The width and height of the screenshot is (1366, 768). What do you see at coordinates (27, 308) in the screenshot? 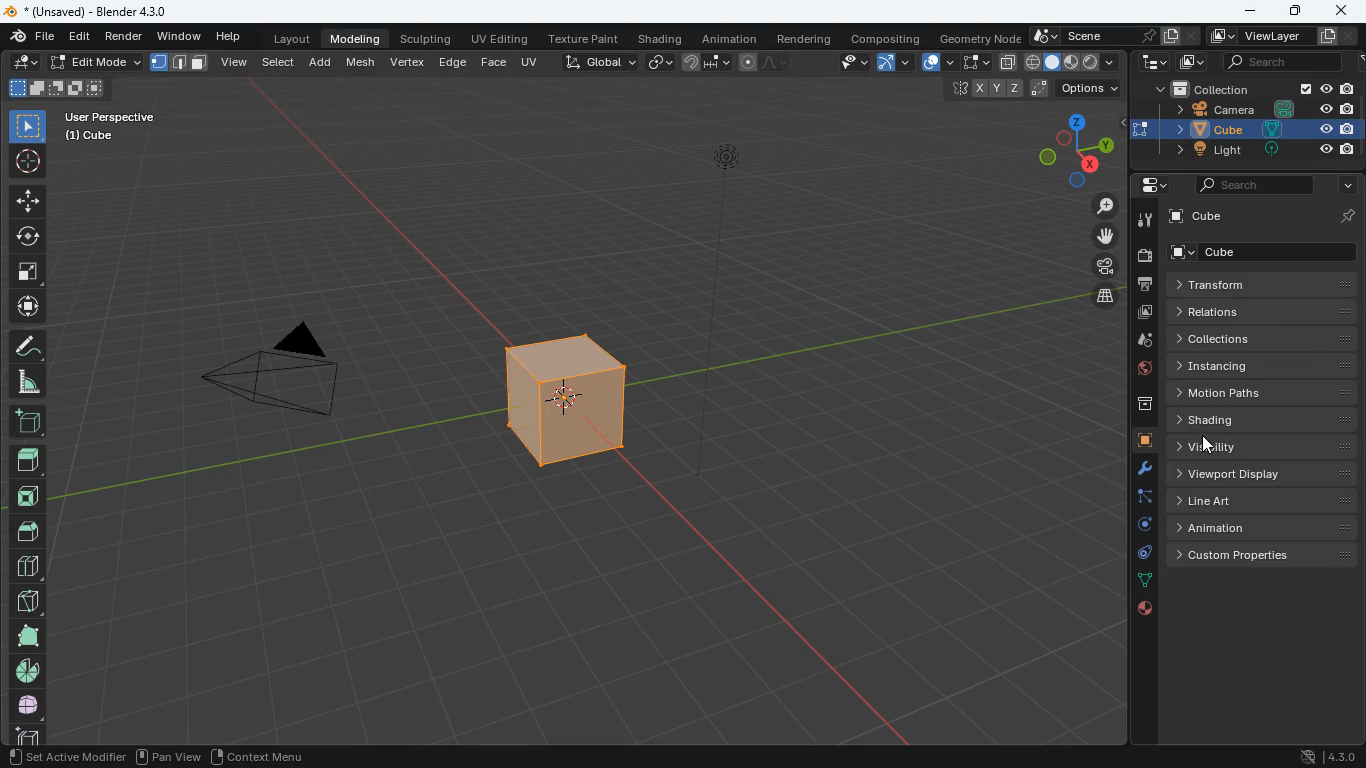
I see `move` at bounding box center [27, 308].